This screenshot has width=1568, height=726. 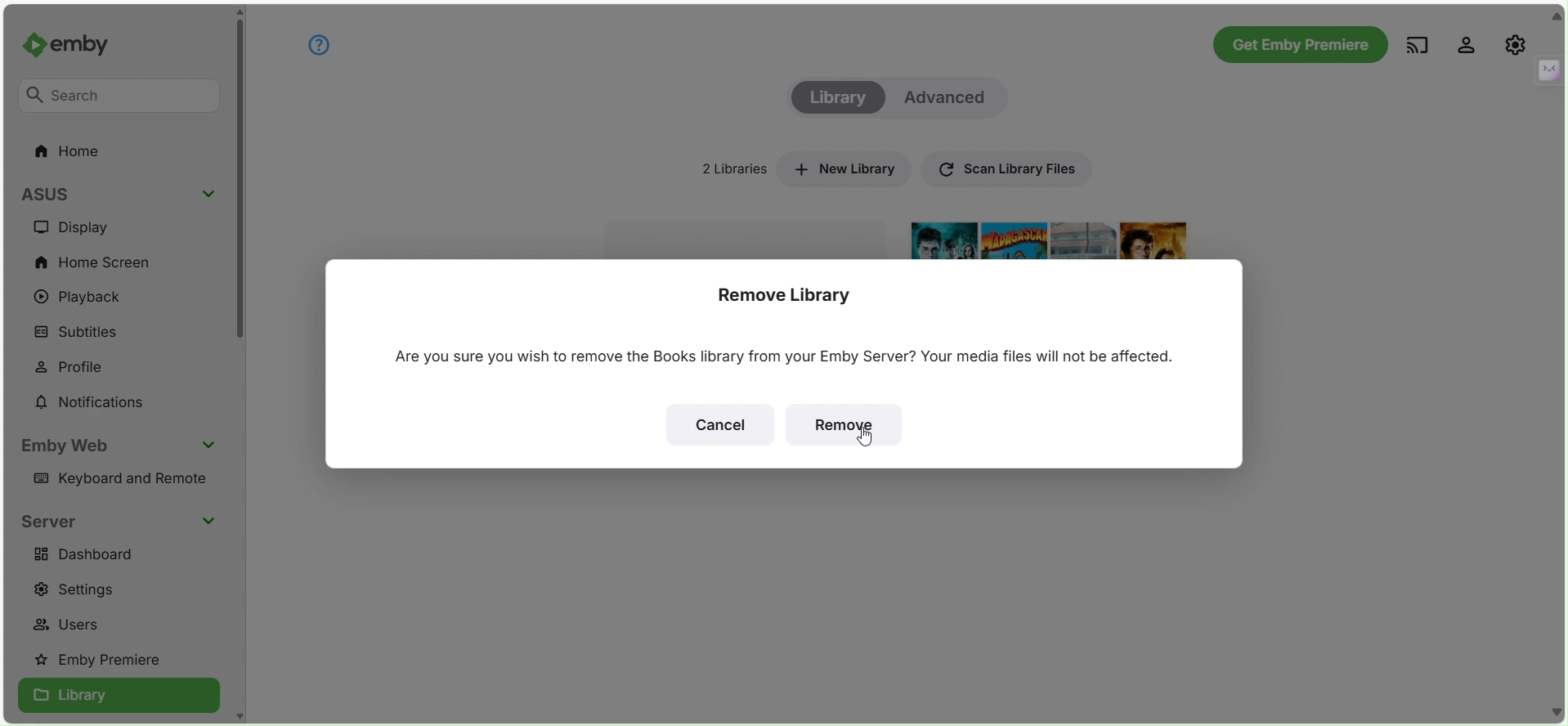 What do you see at coordinates (790, 293) in the screenshot?
I see `Consent to Remove the Library View` at bounding box center [790, 293].